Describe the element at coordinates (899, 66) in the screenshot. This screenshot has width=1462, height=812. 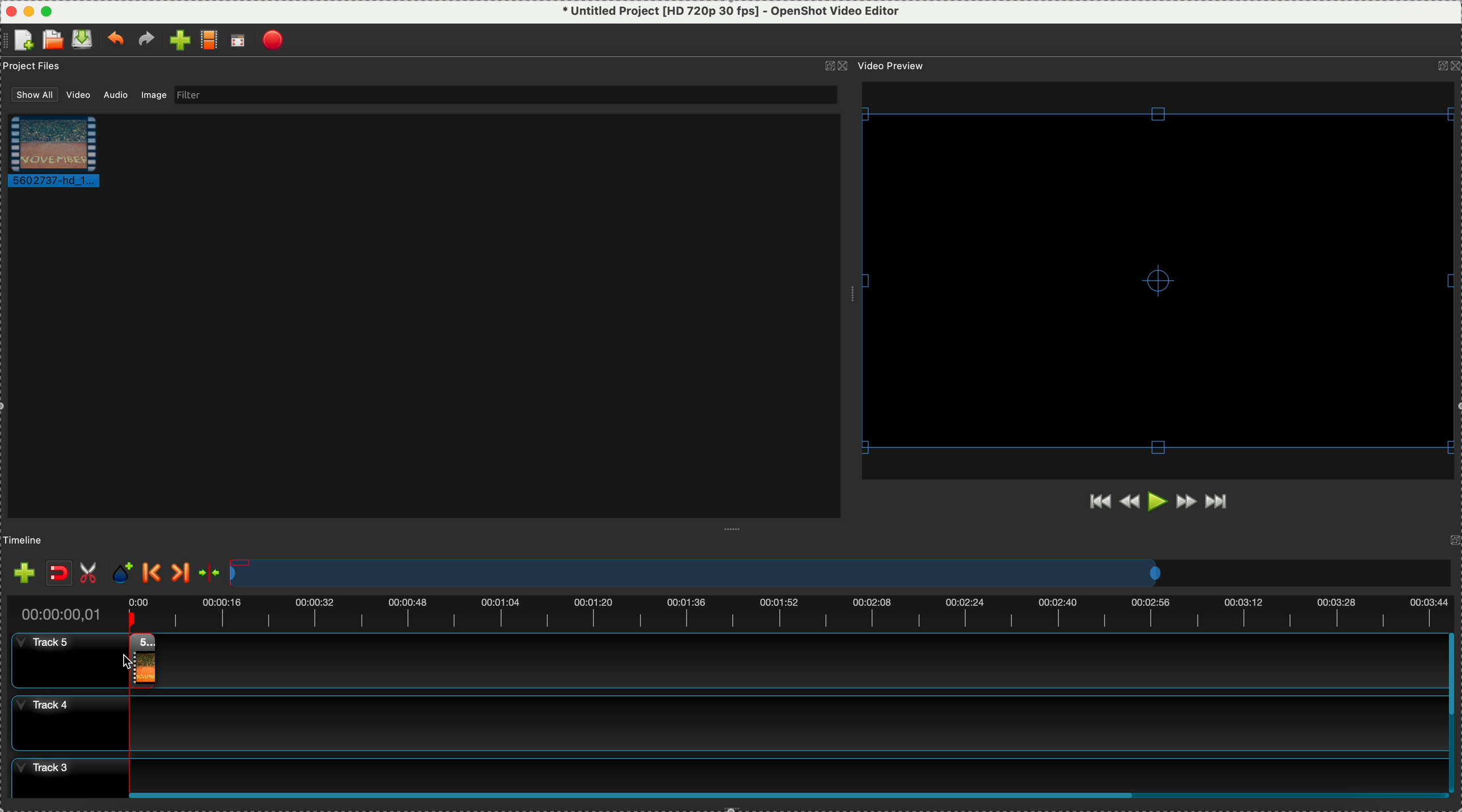
I see `video preview` at that location.